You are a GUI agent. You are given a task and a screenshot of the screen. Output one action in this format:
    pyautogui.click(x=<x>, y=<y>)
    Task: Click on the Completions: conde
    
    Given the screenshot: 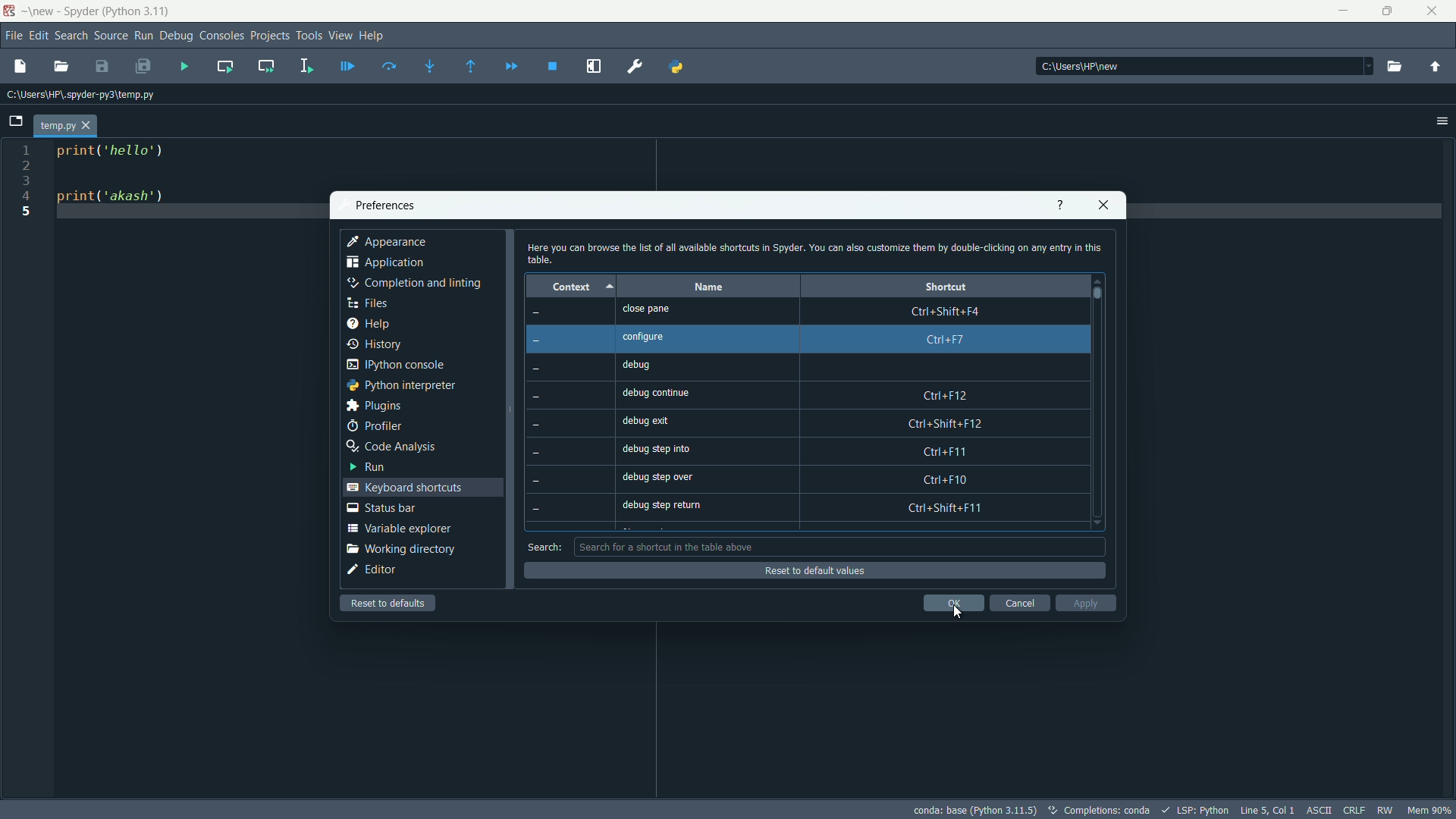 What is the action you would take?
    pyautogui.click(x=1118, y=810)
    